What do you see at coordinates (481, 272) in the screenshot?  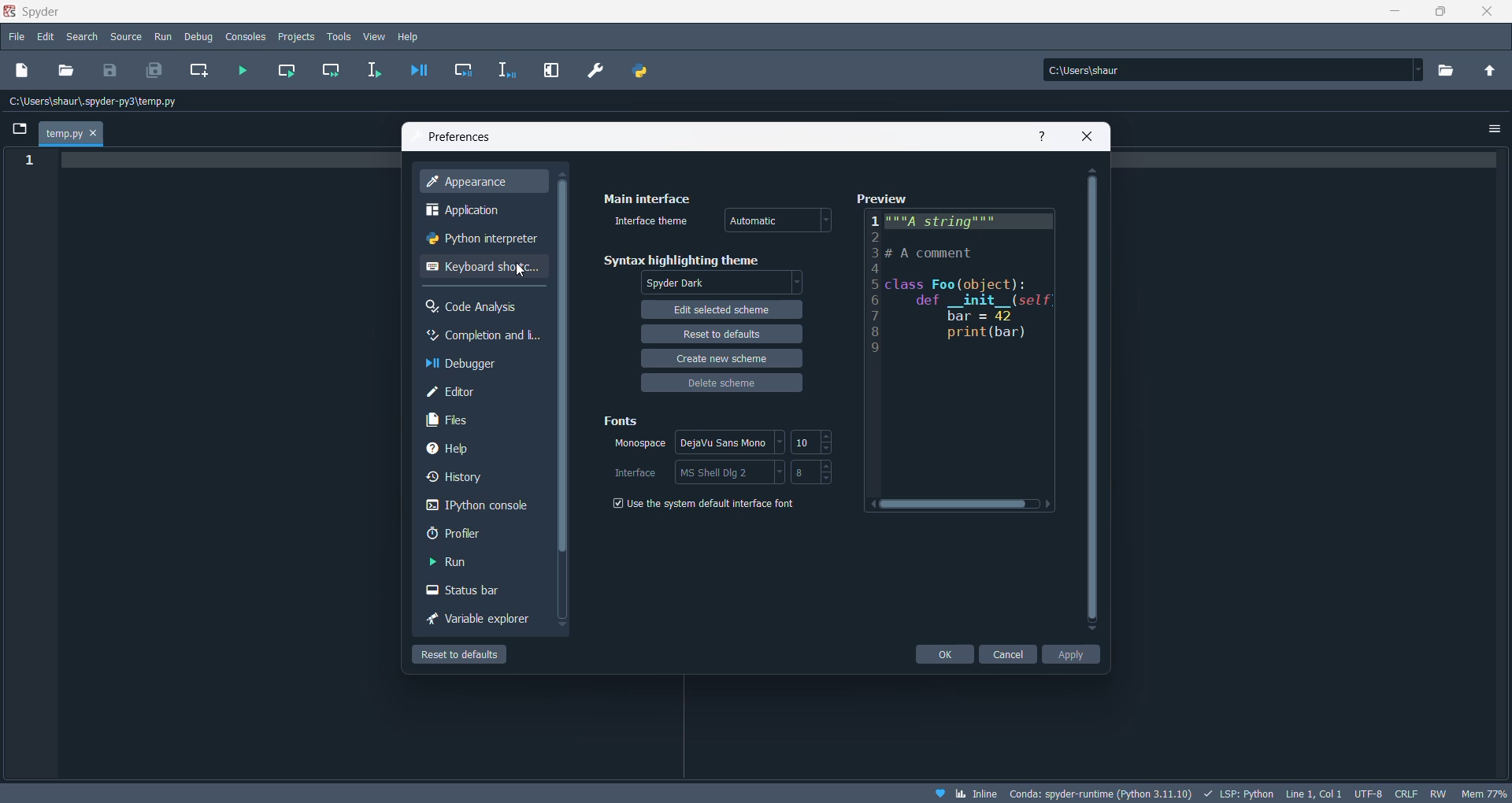 I see `keyboard shortcut` at bounding box center [481, 272].